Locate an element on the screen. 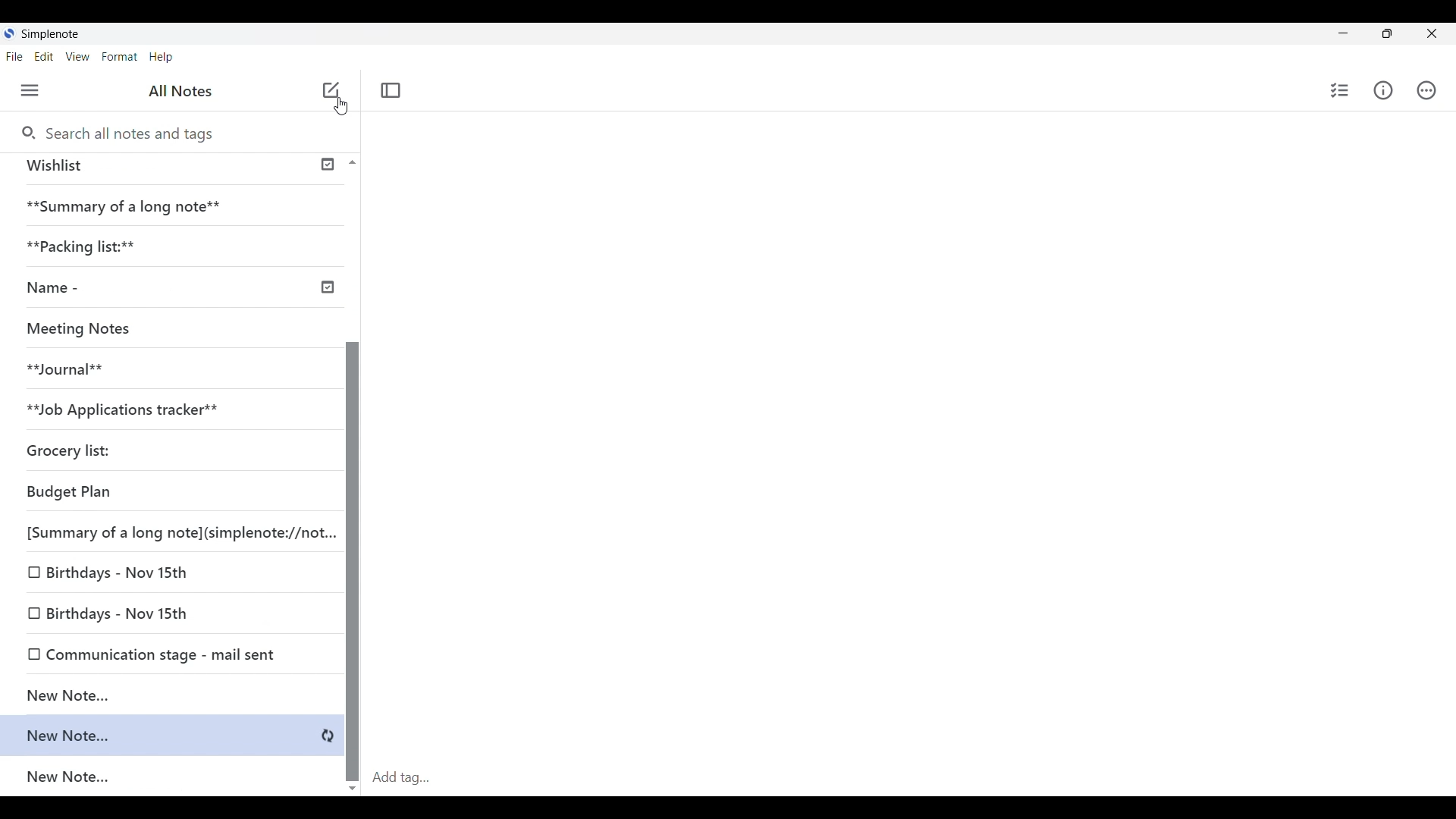 This screenshot has height=819, width=1456. Communication stage - mail sent is located at coordinates (165, 659).